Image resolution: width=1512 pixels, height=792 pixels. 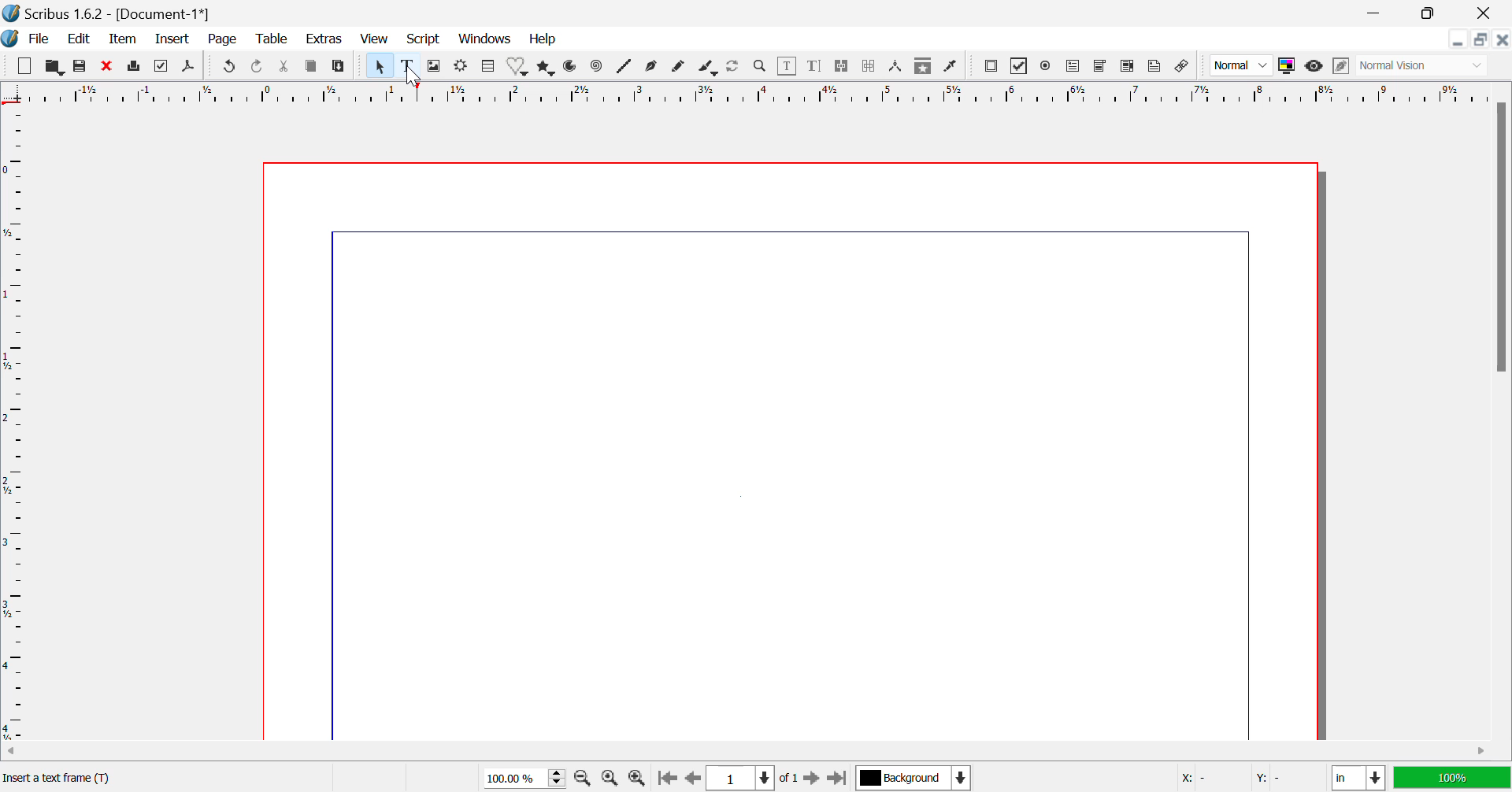 What do you see at coordinates (339, 68) in the screenshot?
I see `Paste` at bounding box center [339, 68].